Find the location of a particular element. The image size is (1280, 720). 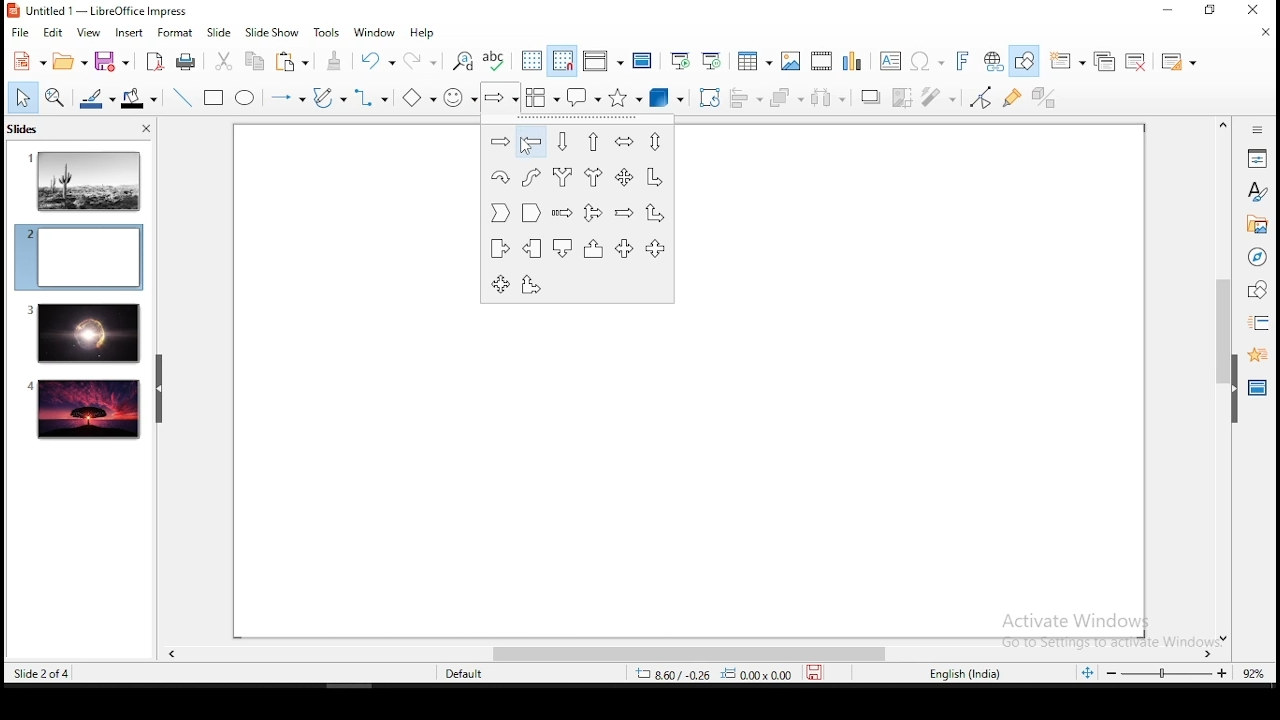

distribute is located at coordinates (830, 98).